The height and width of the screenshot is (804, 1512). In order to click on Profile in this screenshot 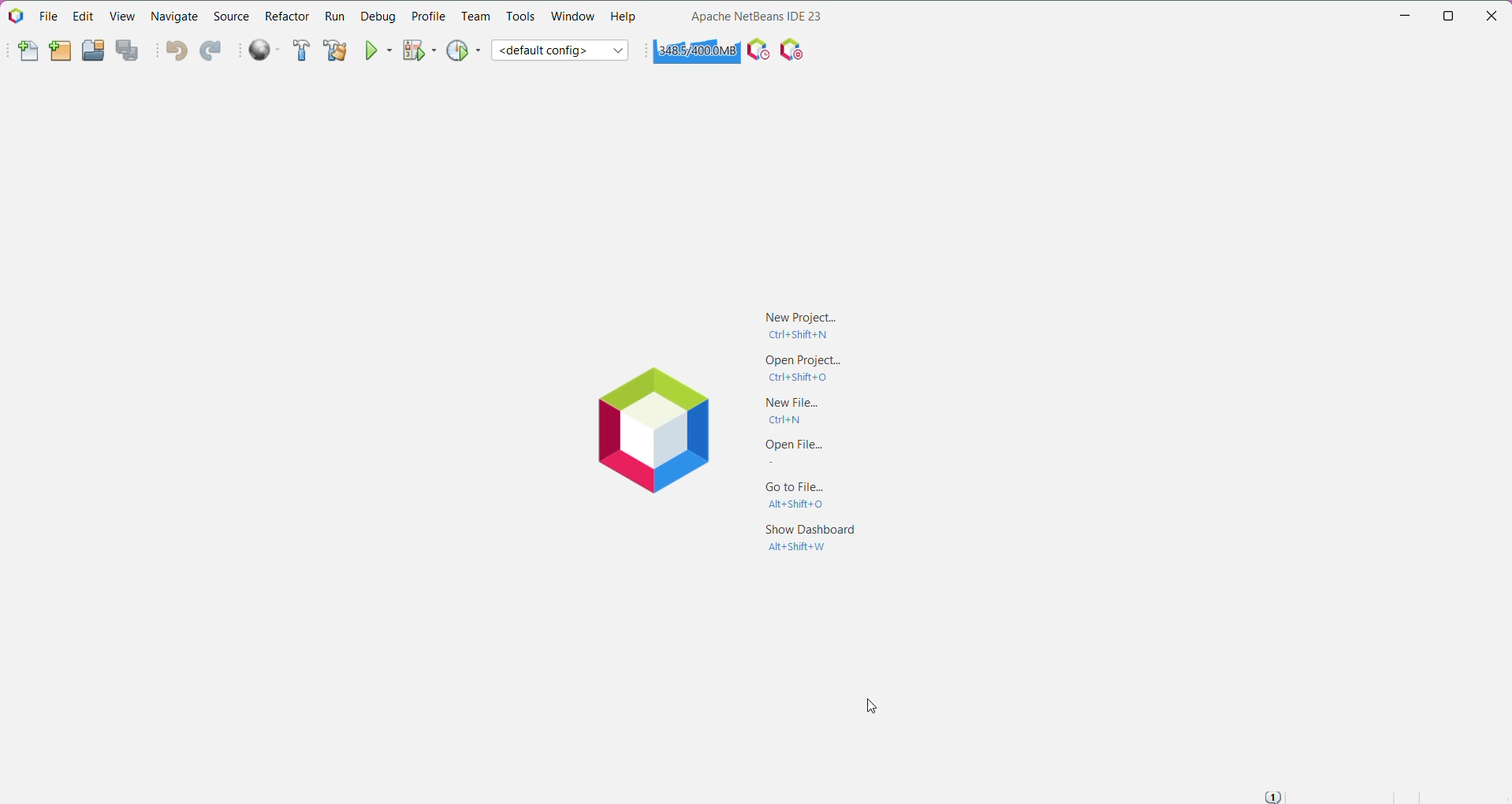, I will do `click(429, 16)`.